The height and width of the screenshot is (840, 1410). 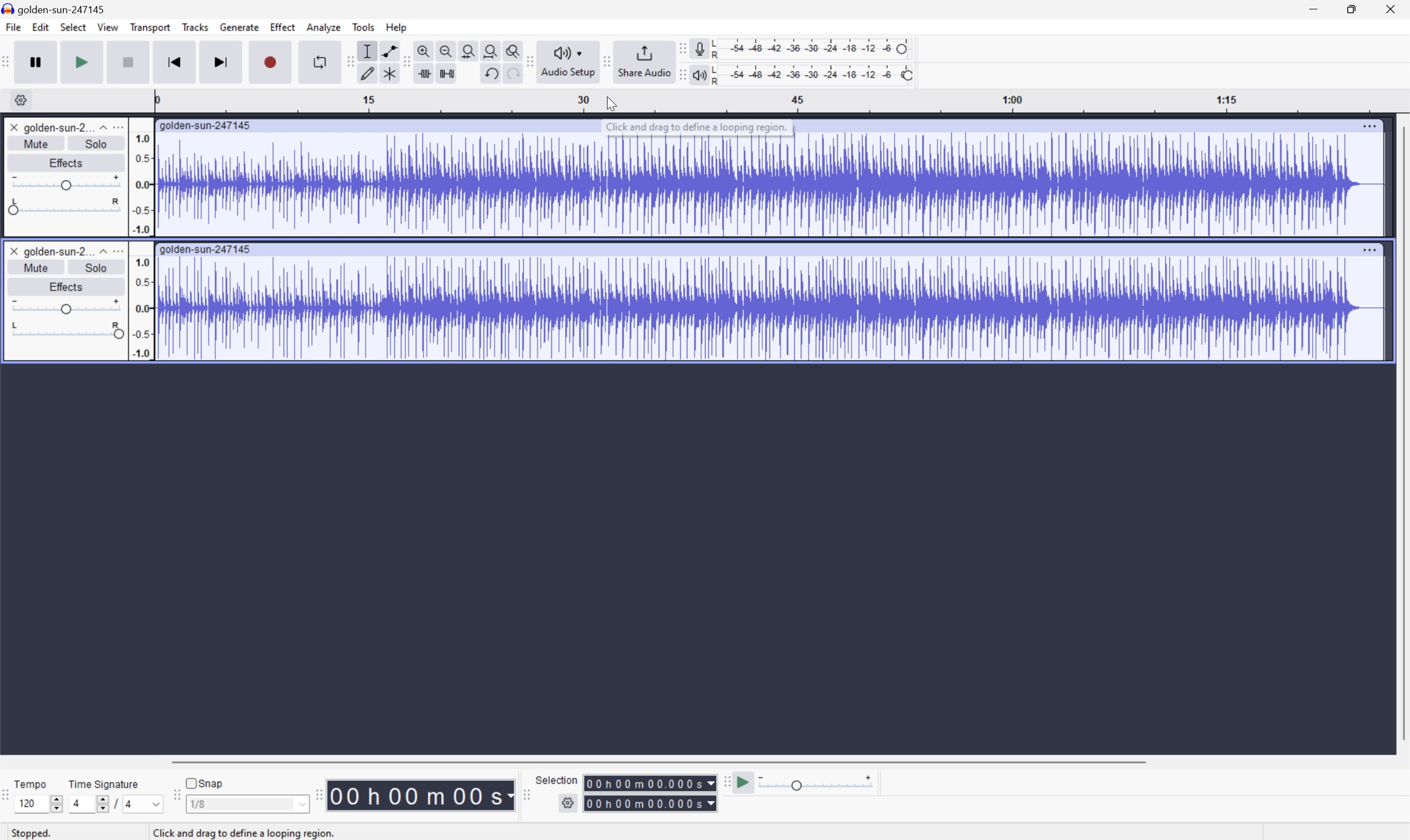 What do you see at coordinates (770, 307) in the screenshot?
I see `Audio` at bounding box center [770, 307].